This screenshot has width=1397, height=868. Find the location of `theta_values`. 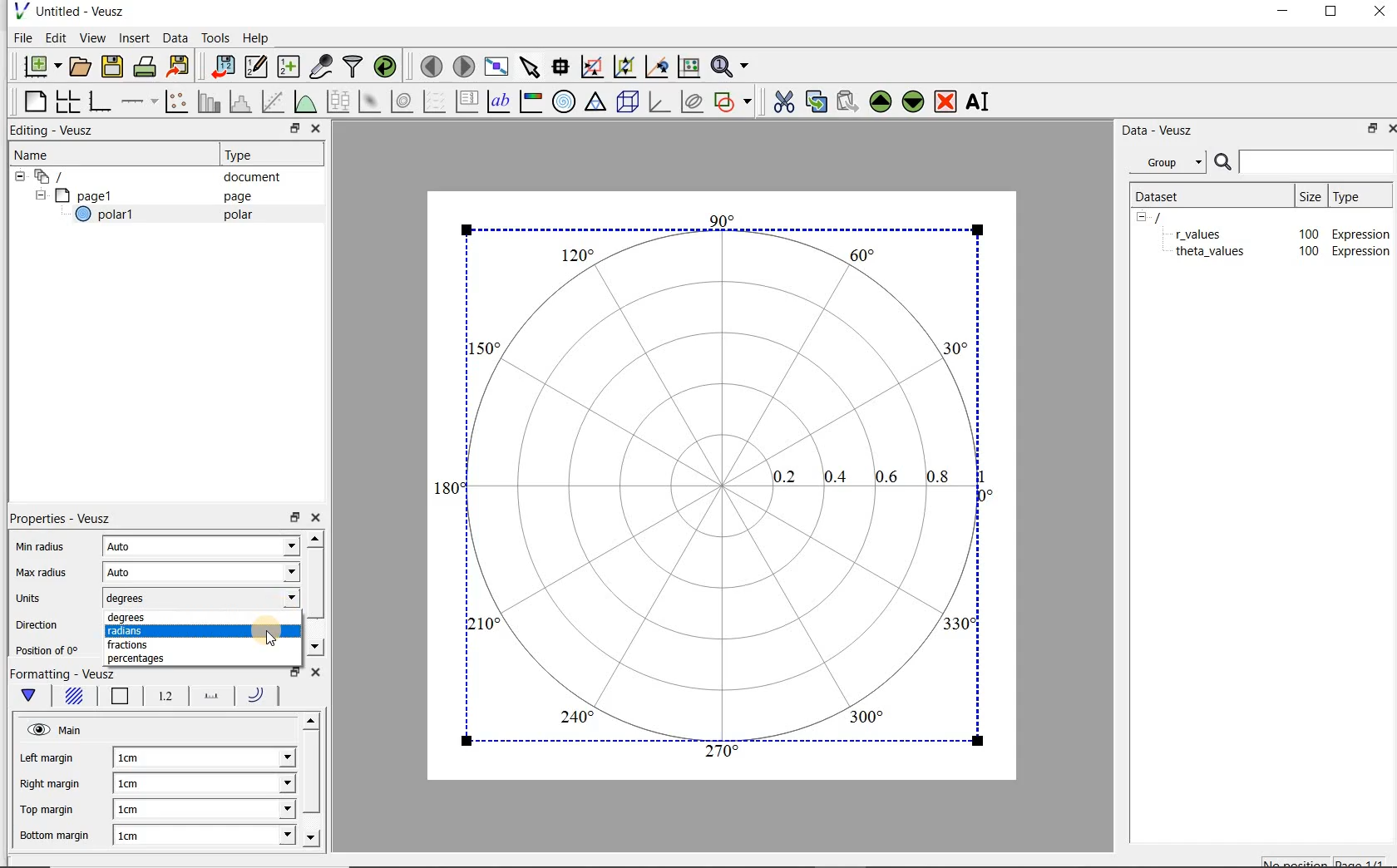

theta_values is located at coordinates (1214, 254).